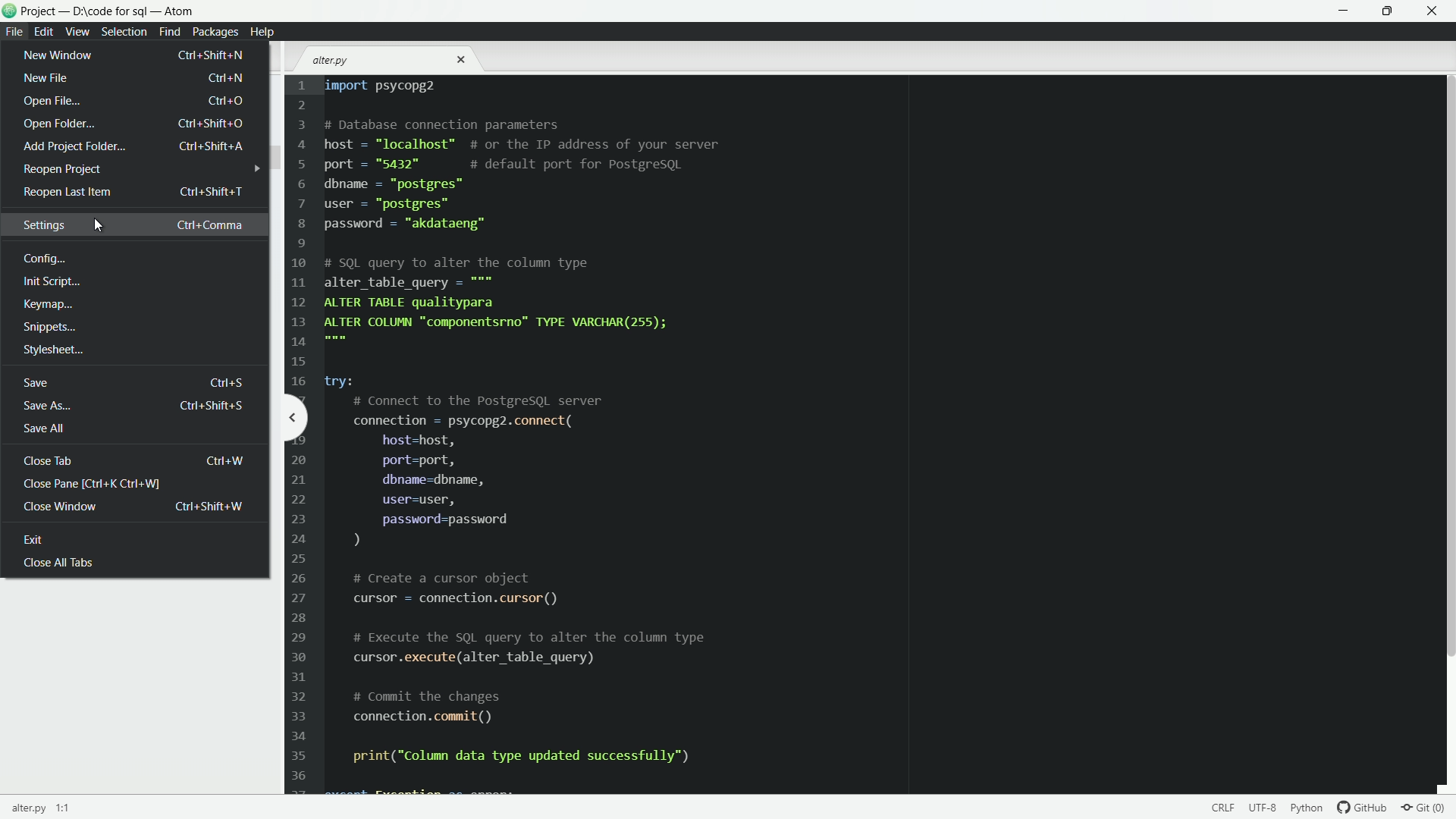 This screenshot has height=819, width=1456. What do you see at coordinates (299, 436) in the screenshot?
I see `line number` at bounding box center [299, 436].